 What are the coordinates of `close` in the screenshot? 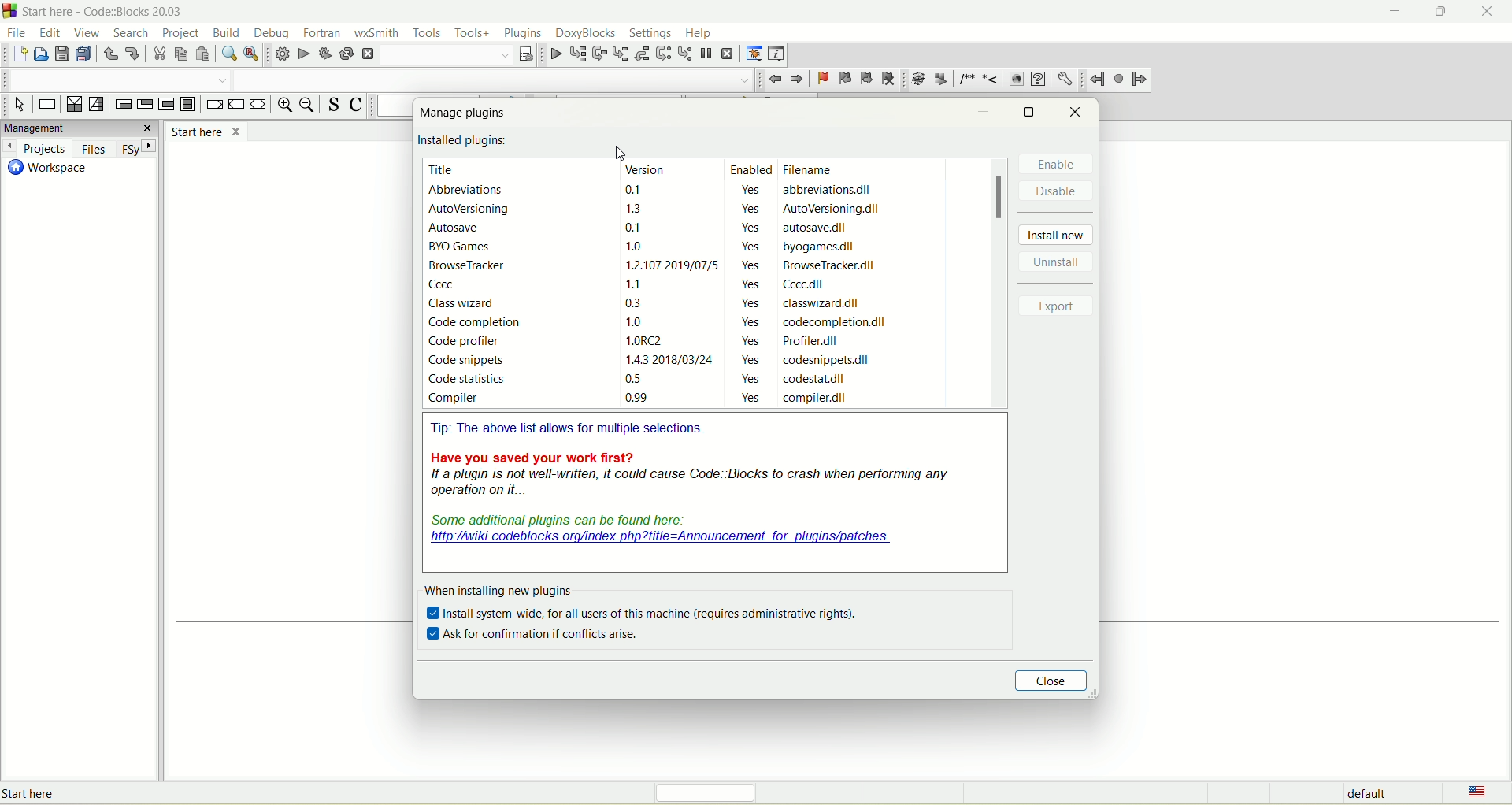 It's located at (1077, 113).